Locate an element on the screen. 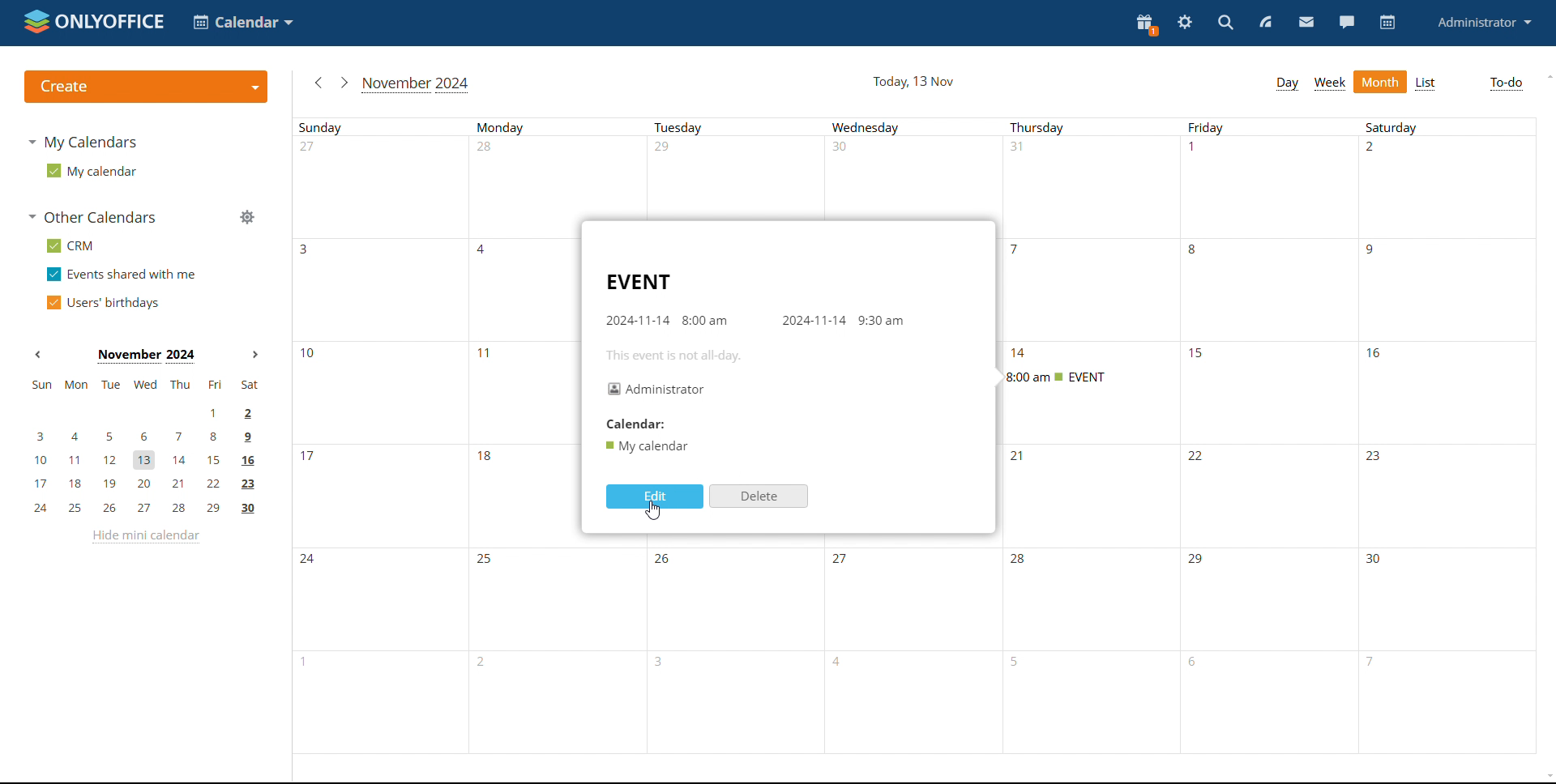  feed is located at coordinates (1266, 23).